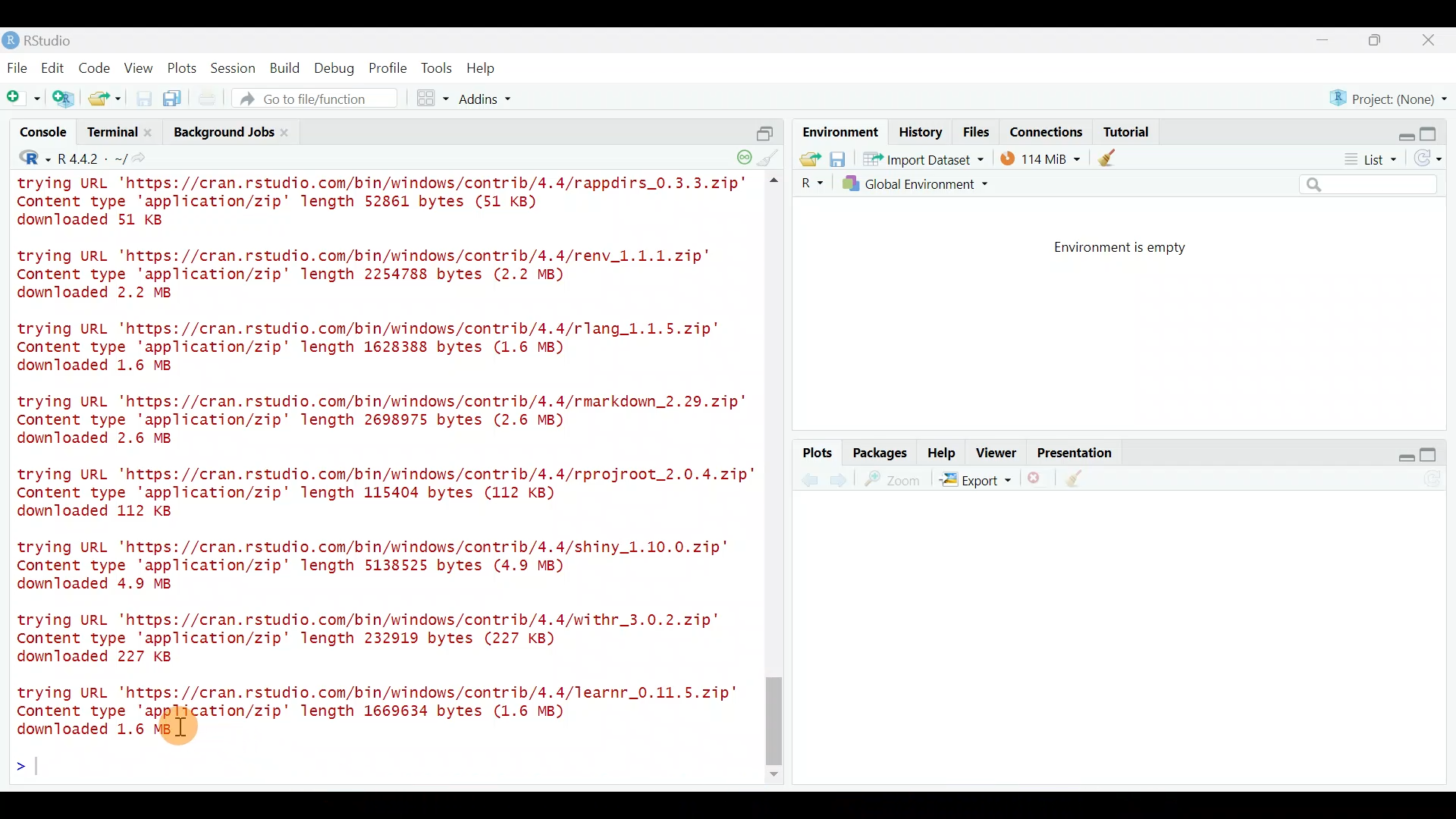 This screenshot has height=819, width=1456. What do you see at coordinates (843, 479) in the screenshot?
I see `previous plot` at bounding box center [843, 479].